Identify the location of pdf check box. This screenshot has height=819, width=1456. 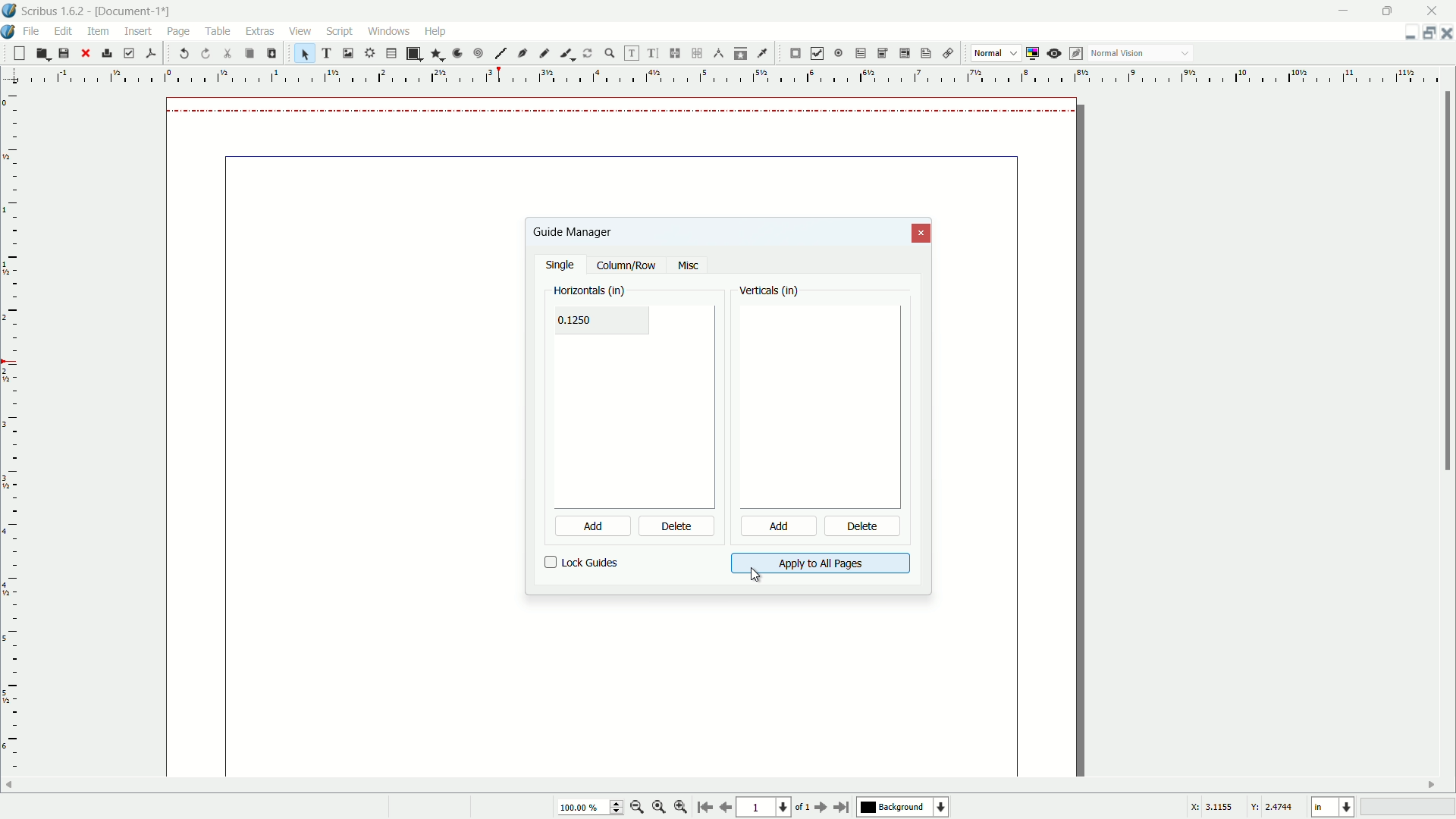
(817, 53).